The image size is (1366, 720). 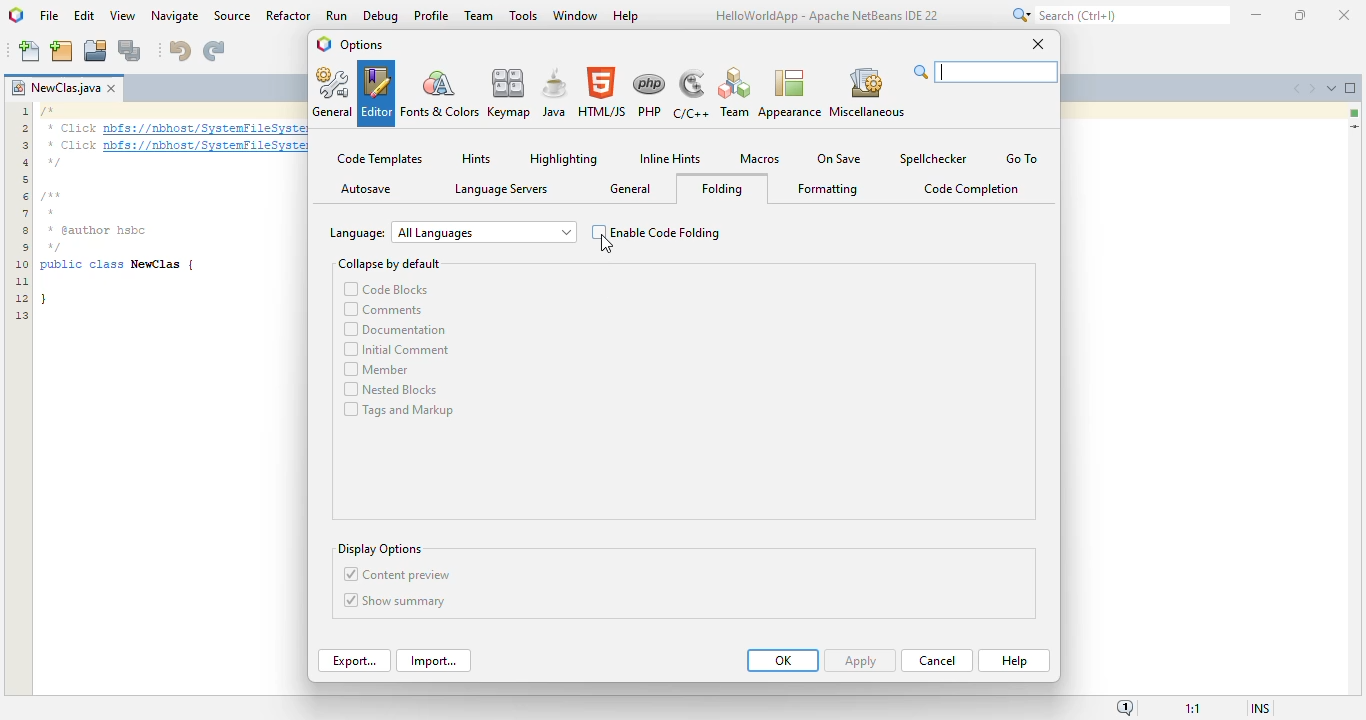 I want to click on Checkbox, so click(x=349, y=573).